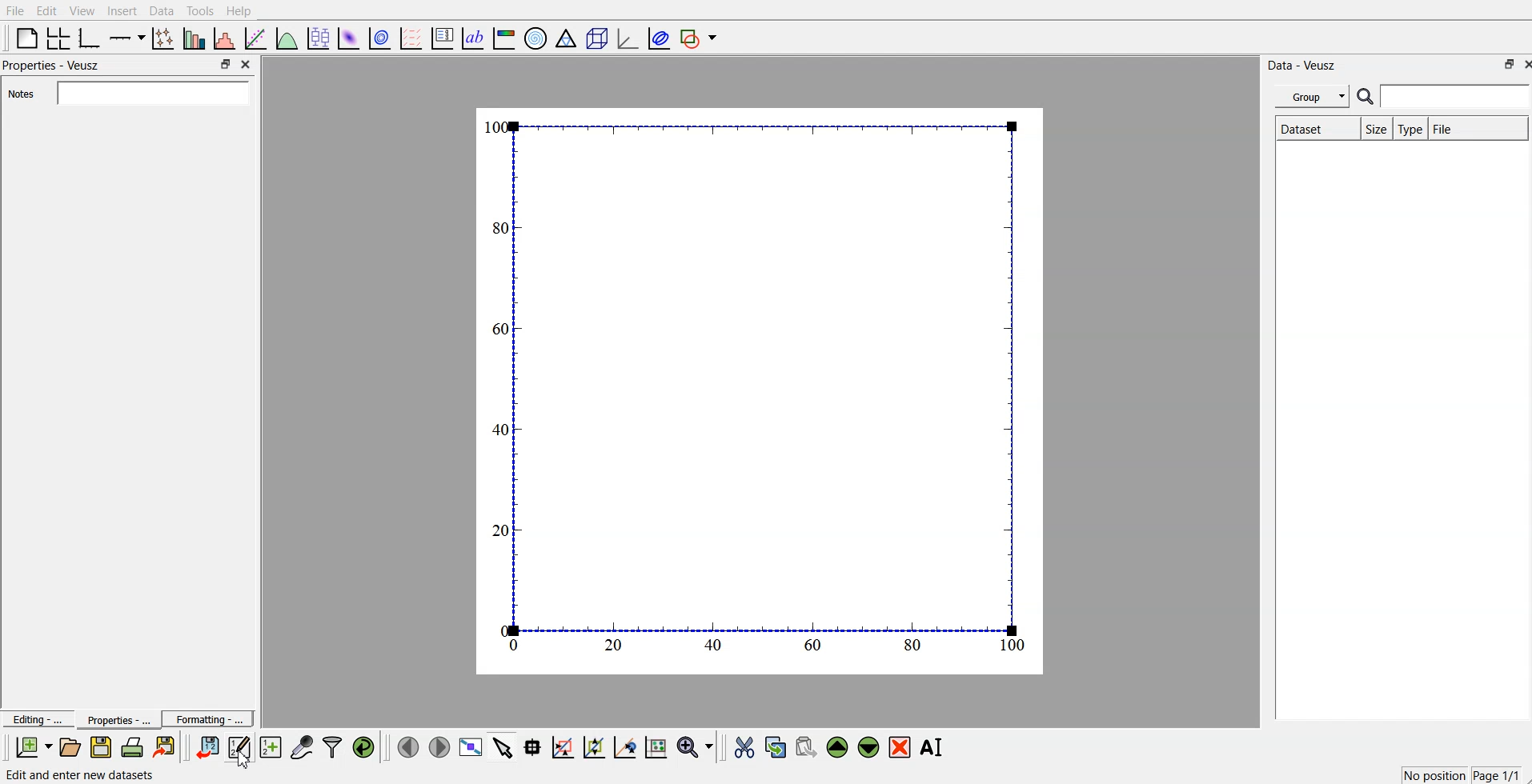 The image size is (1532, 784). Describe the element at coordinates (226, 38) in the screenshot. I see `histogram of dataset` at that location.